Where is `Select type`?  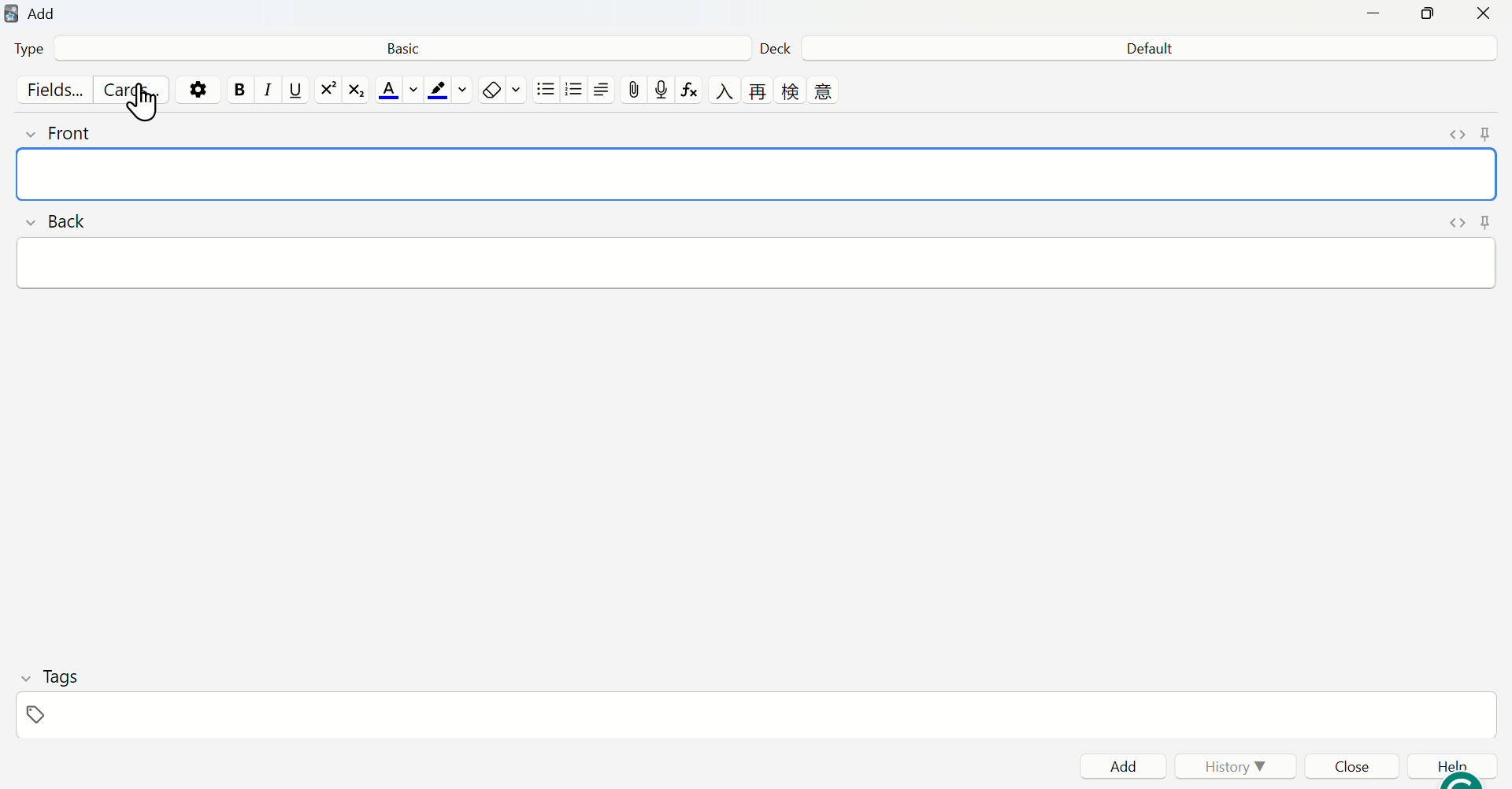 Select type is located at coordinates (400, 49).